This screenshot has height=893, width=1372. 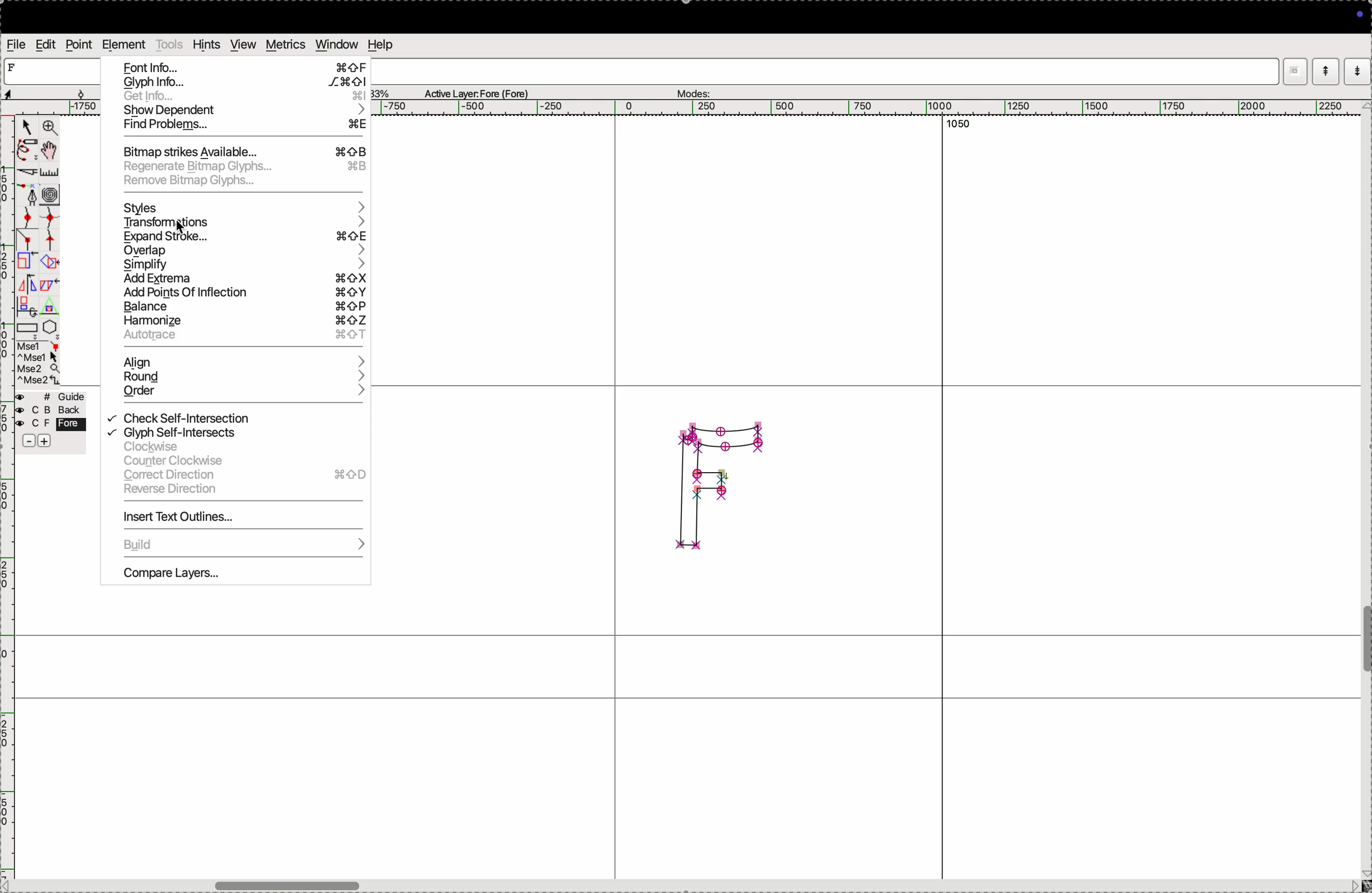 I want to click on mirror, so click(x=37, y=286).